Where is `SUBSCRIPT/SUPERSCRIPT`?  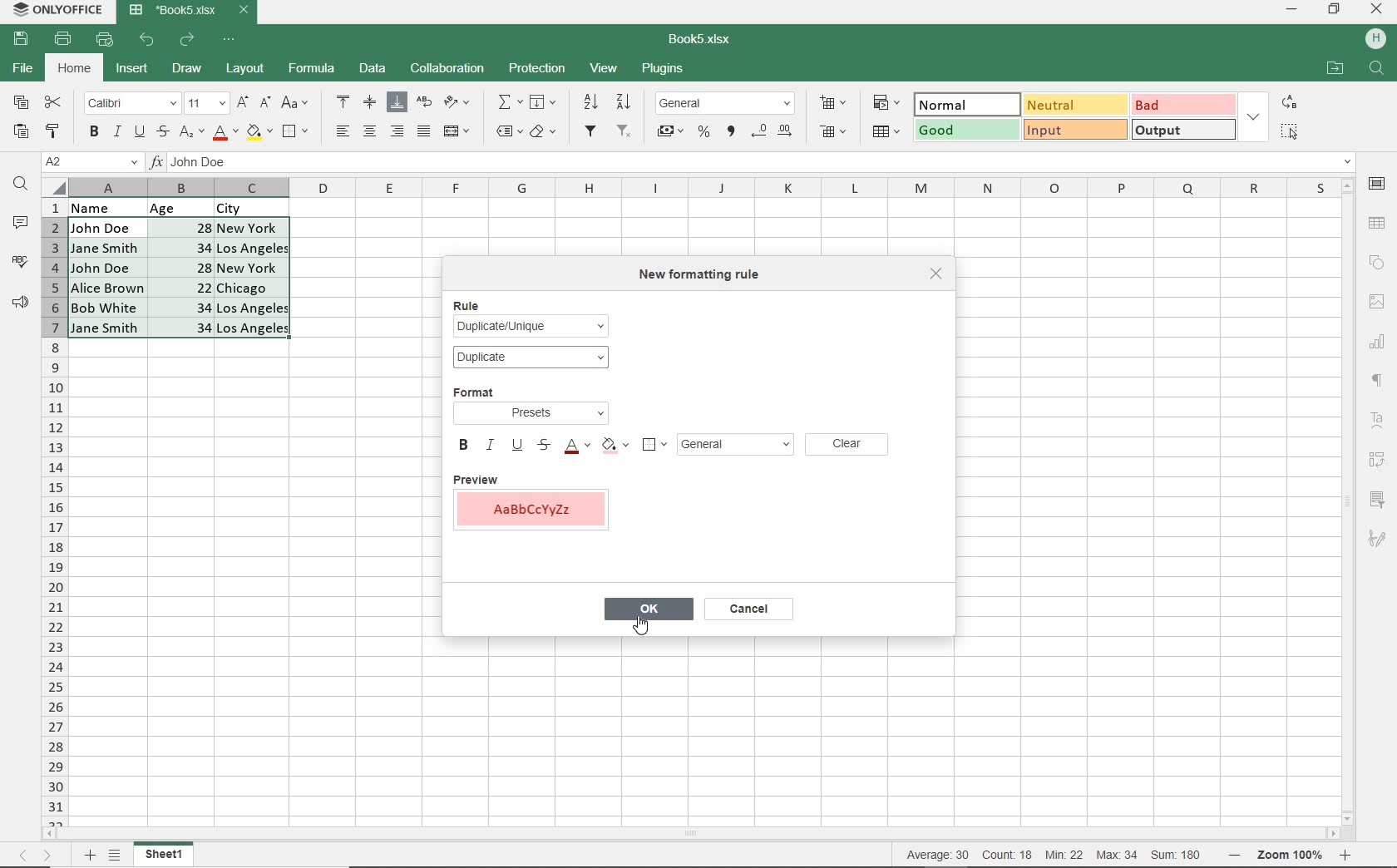 SUBSCRIPT/SUPERSCRIPT is located at coordinates (190, 131).